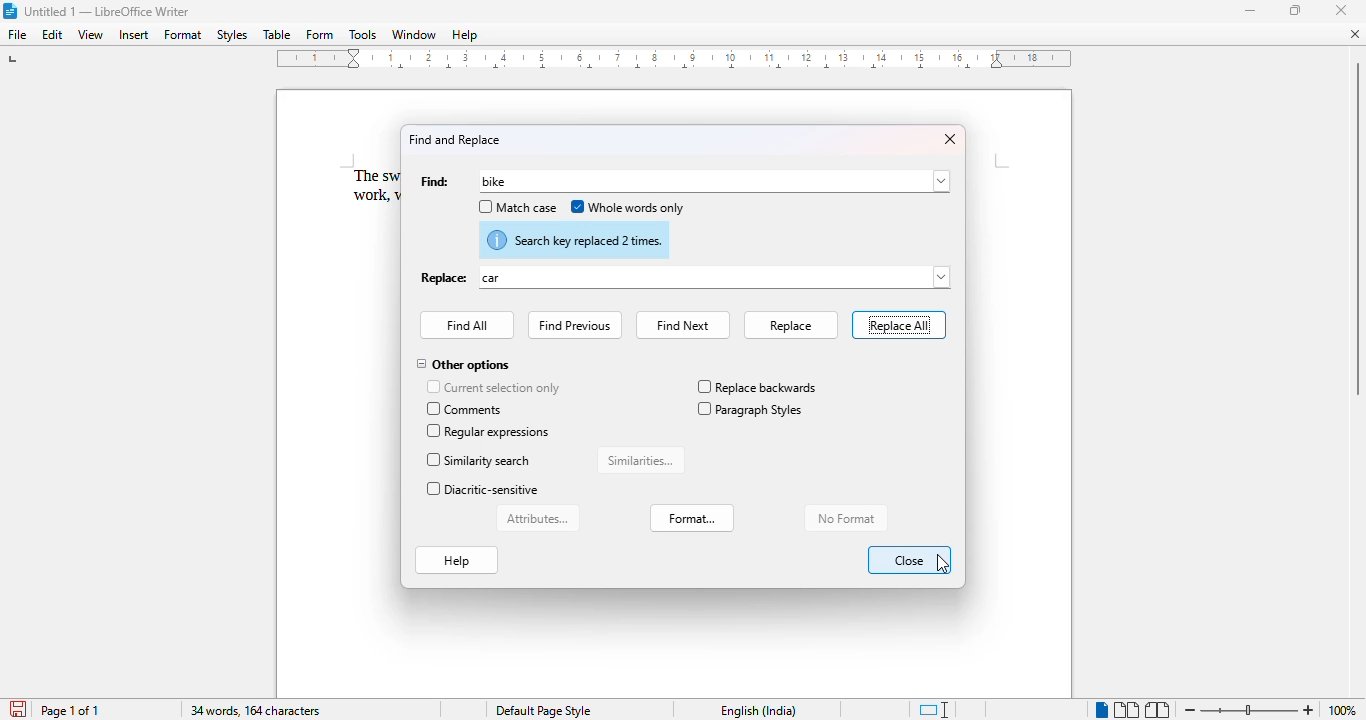 The height and width of the screenshot is (720, 1366). I want to click on Untitled 1 -- LibreOffice Writer, so click(108, 13).